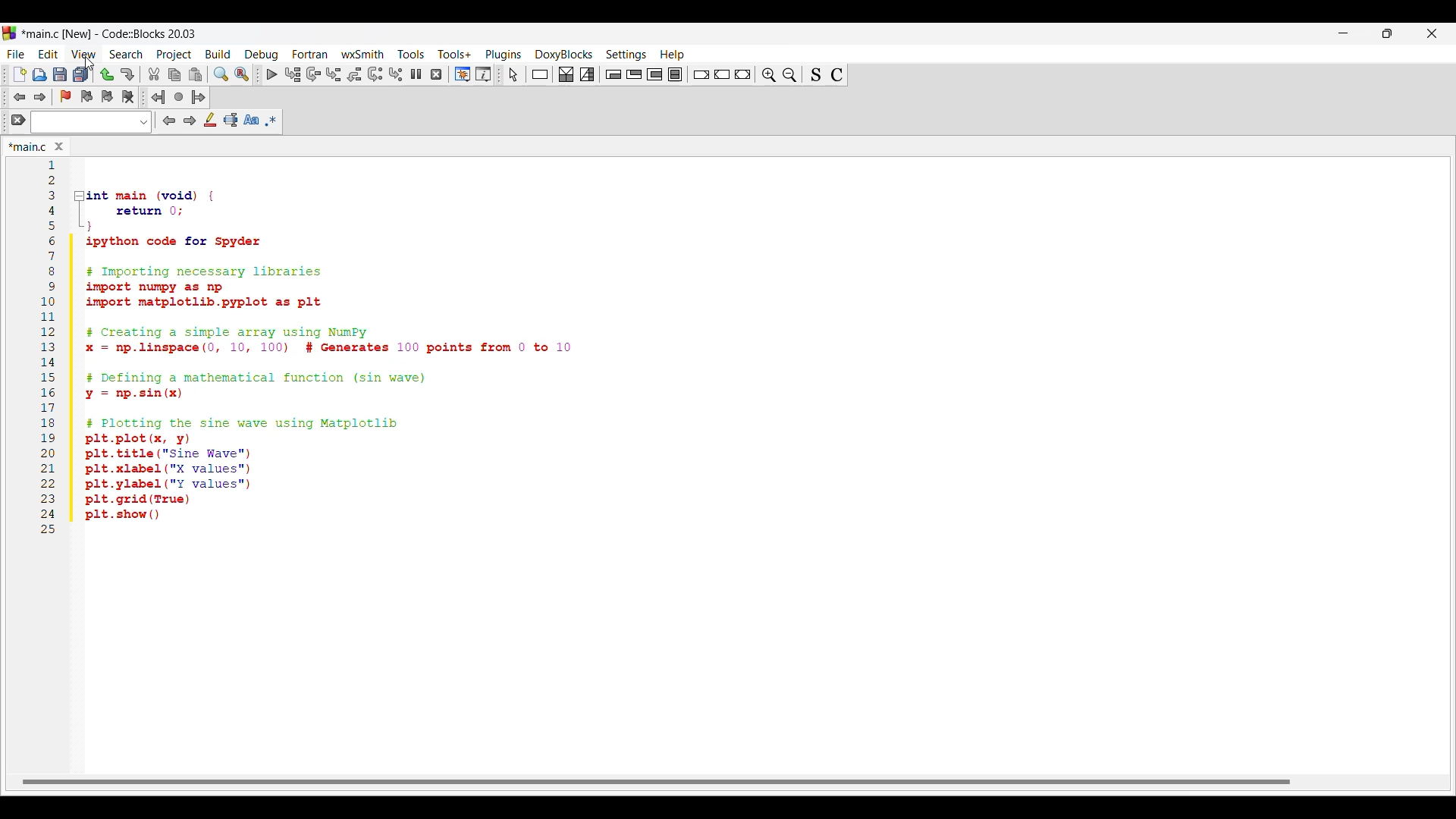 This screenshot has width=1456, height=819. I want to click on Settings menu, so click(626, 55).